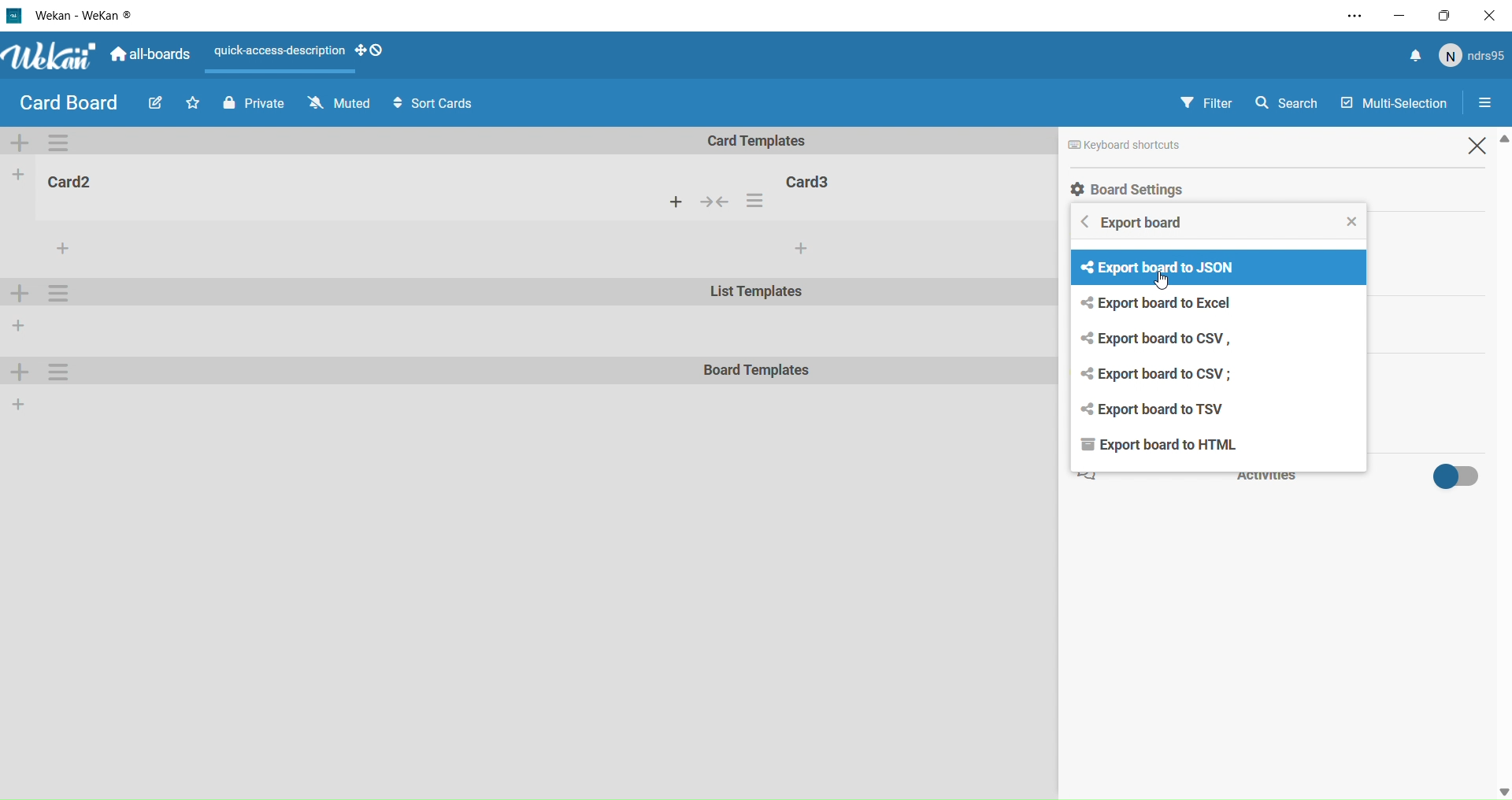  I want to click on Export to CSV, so click(1162, 374).